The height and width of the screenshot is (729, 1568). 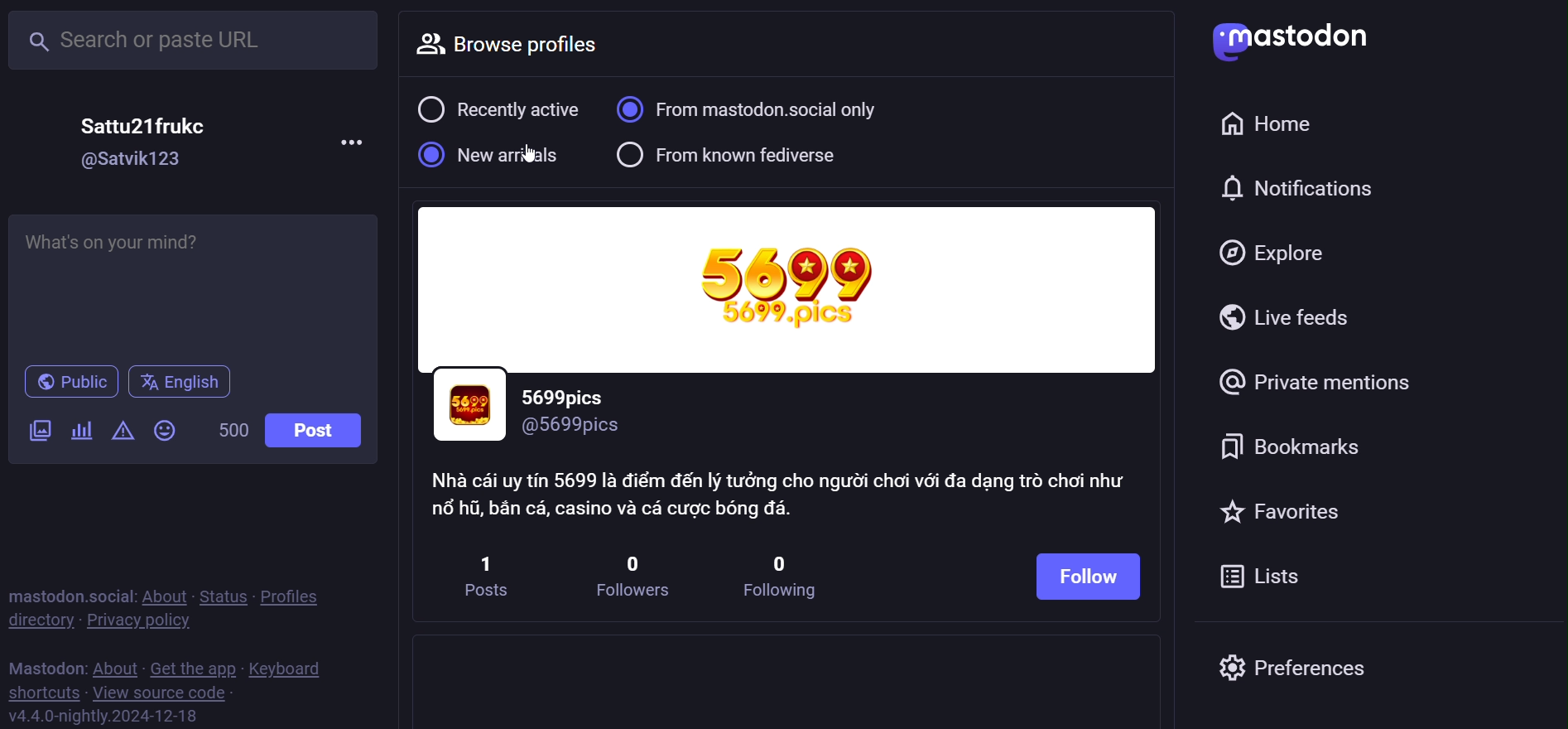 I want to click on list, so click(x=1270, y=576).